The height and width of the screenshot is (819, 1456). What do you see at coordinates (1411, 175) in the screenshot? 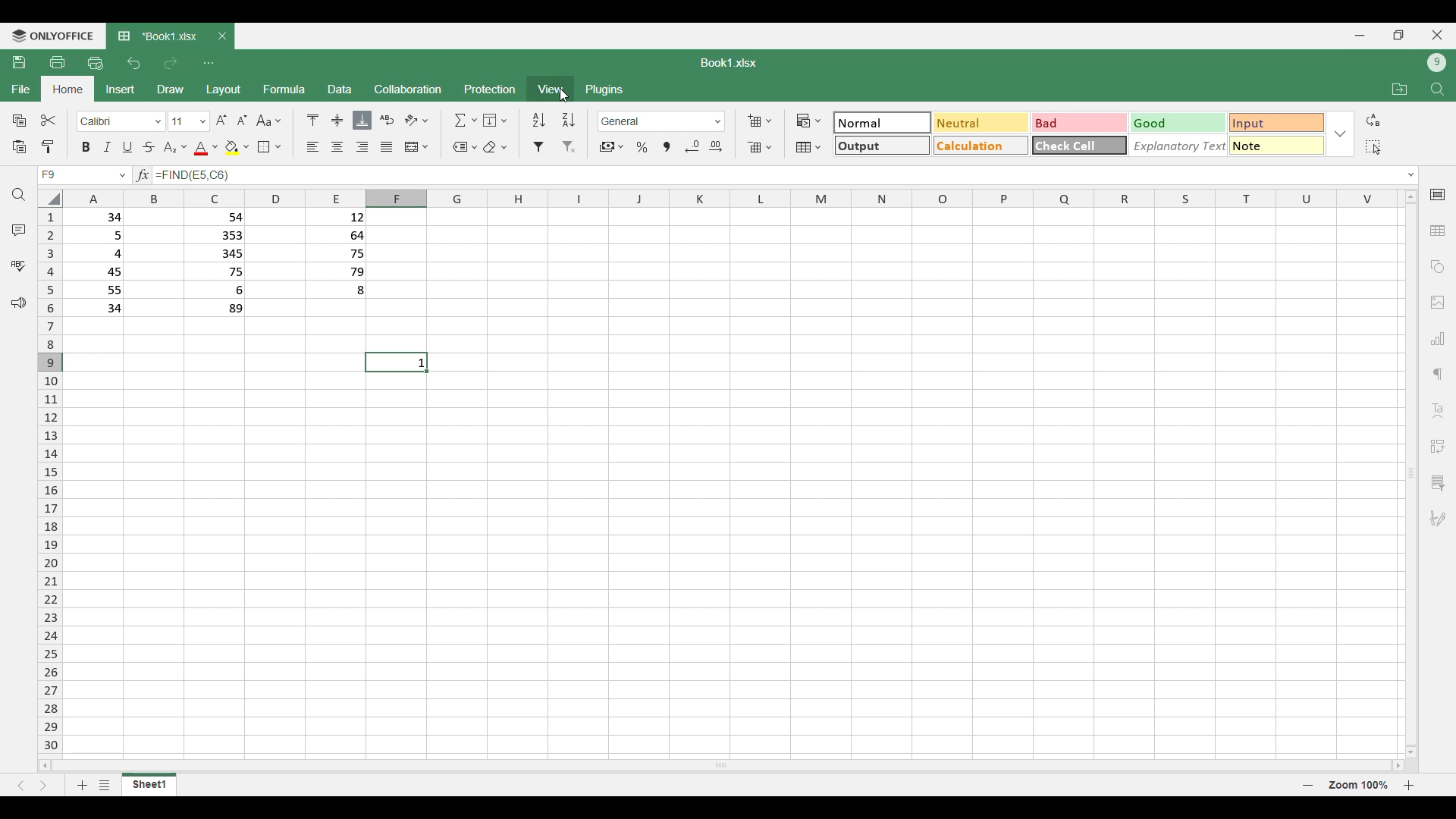
I see `Expand/Collapse` at bounding box center [1411, 175].